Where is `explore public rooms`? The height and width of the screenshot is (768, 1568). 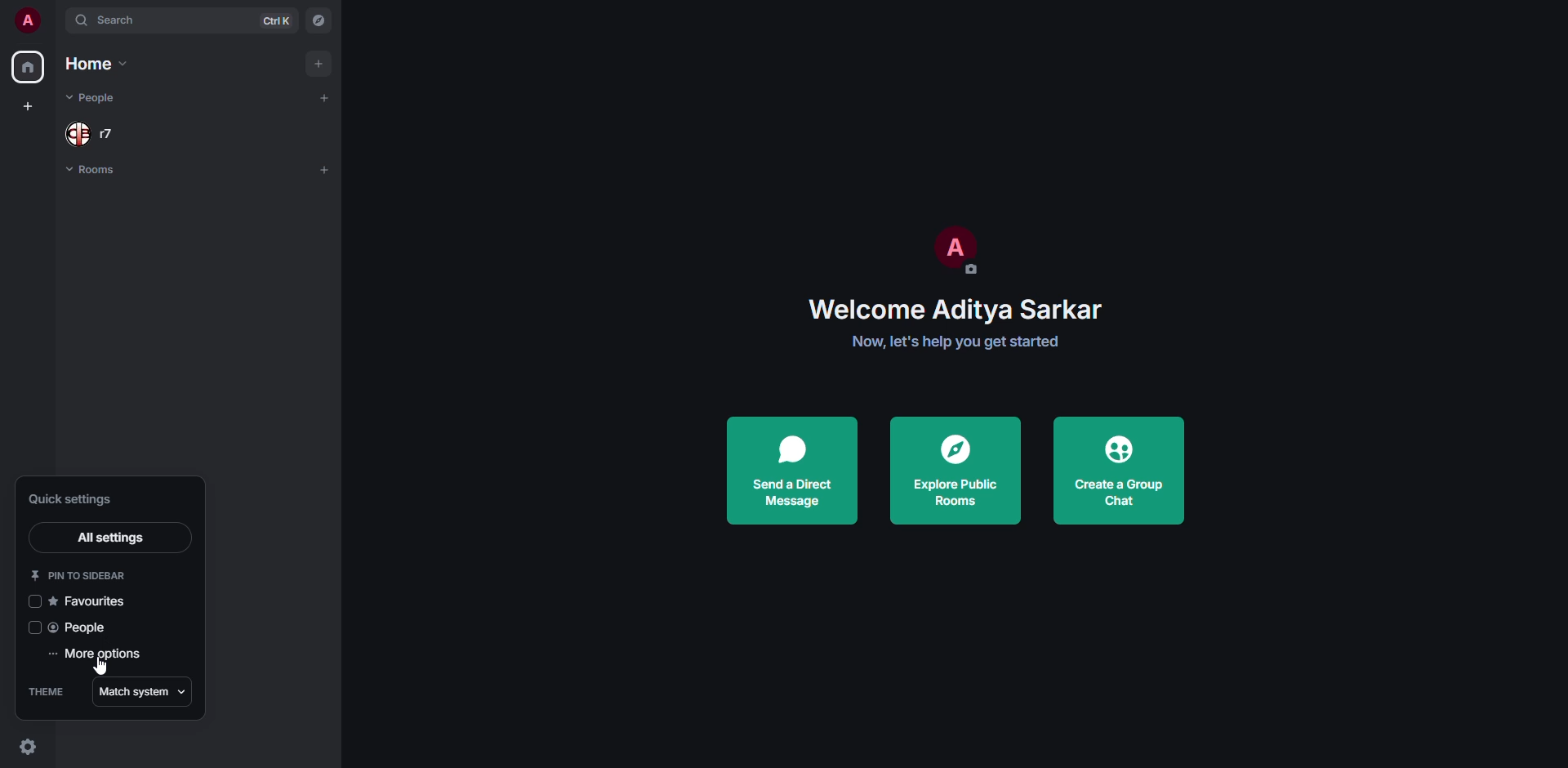
explore public rooms is located at coordinates (955, 473).